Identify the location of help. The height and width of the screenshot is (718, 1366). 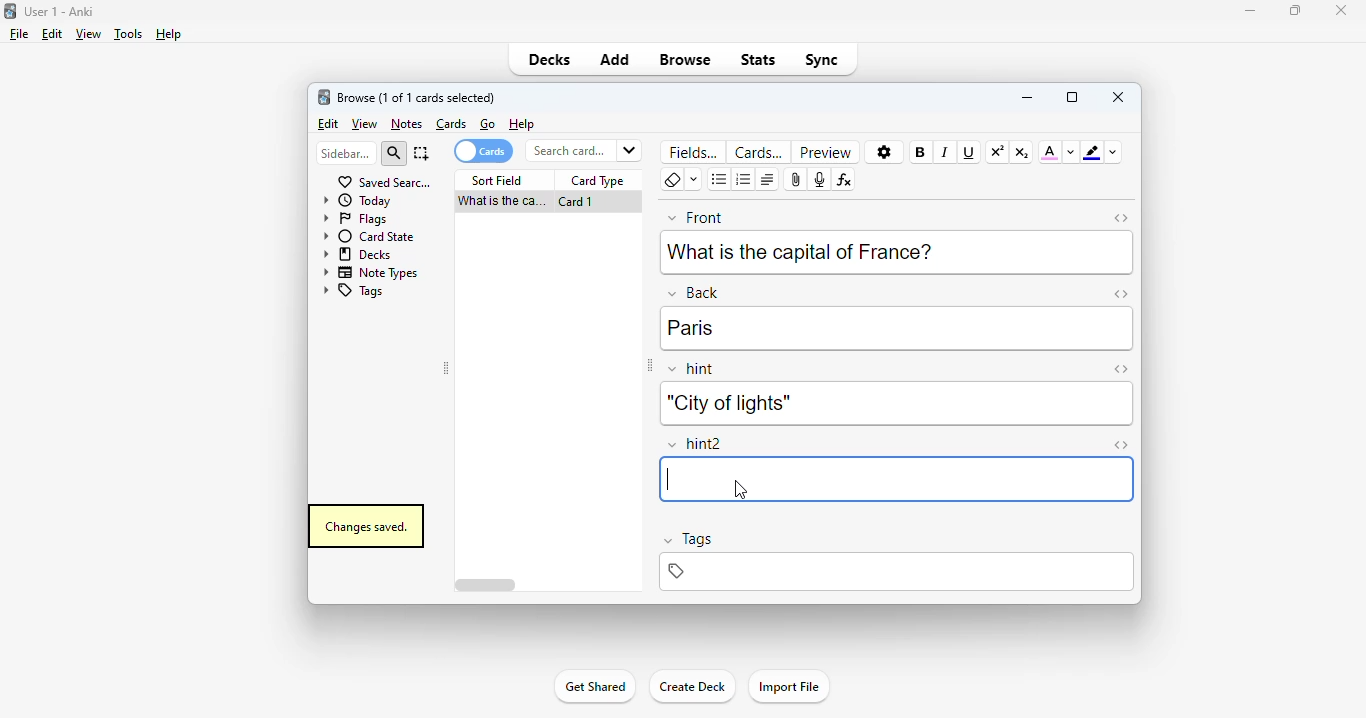
(522, 124).